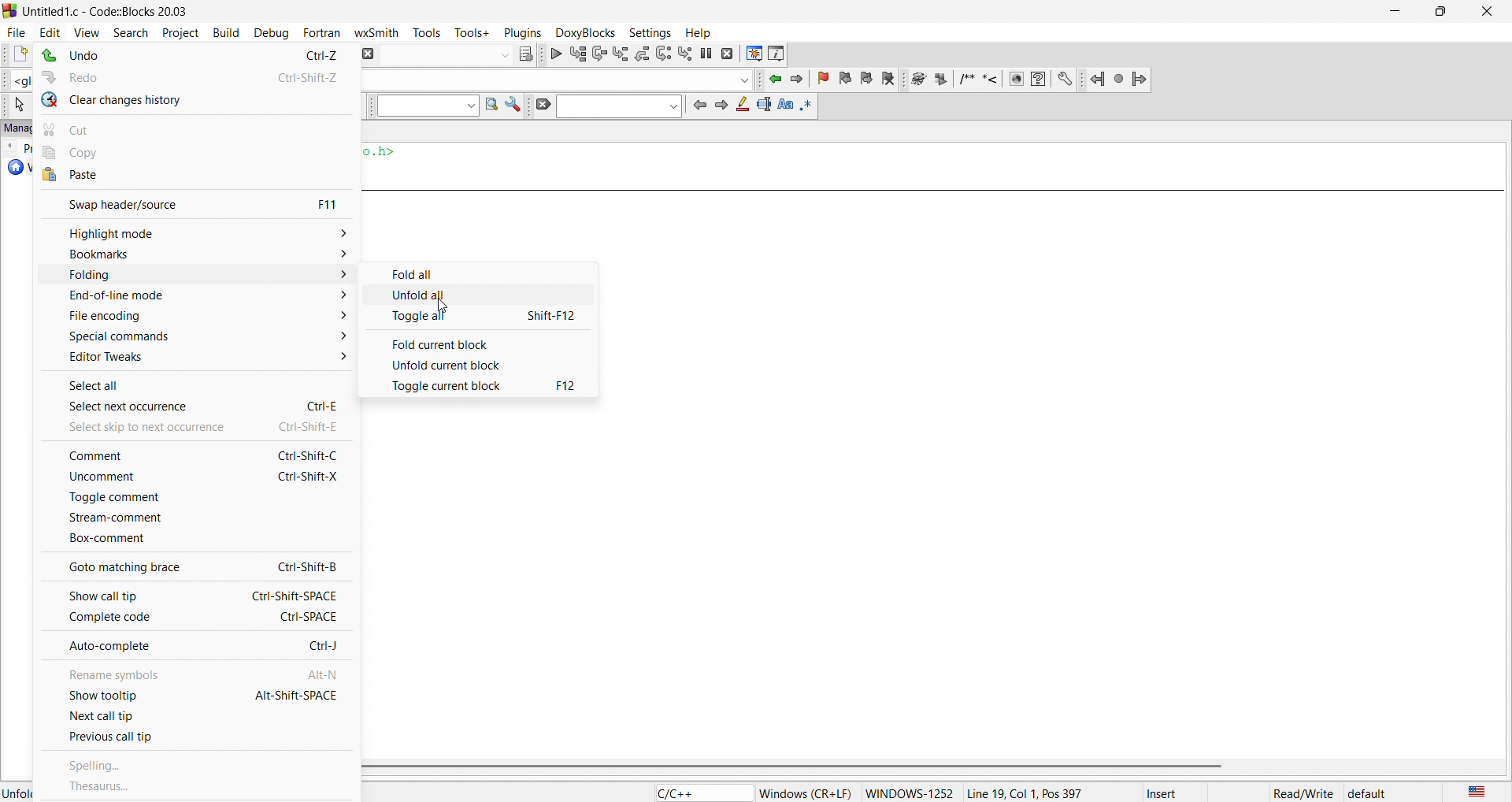  What do you see at coordinates (1014, 79) in the screenshot?
I see `web` at bounding box center [1014, 79].